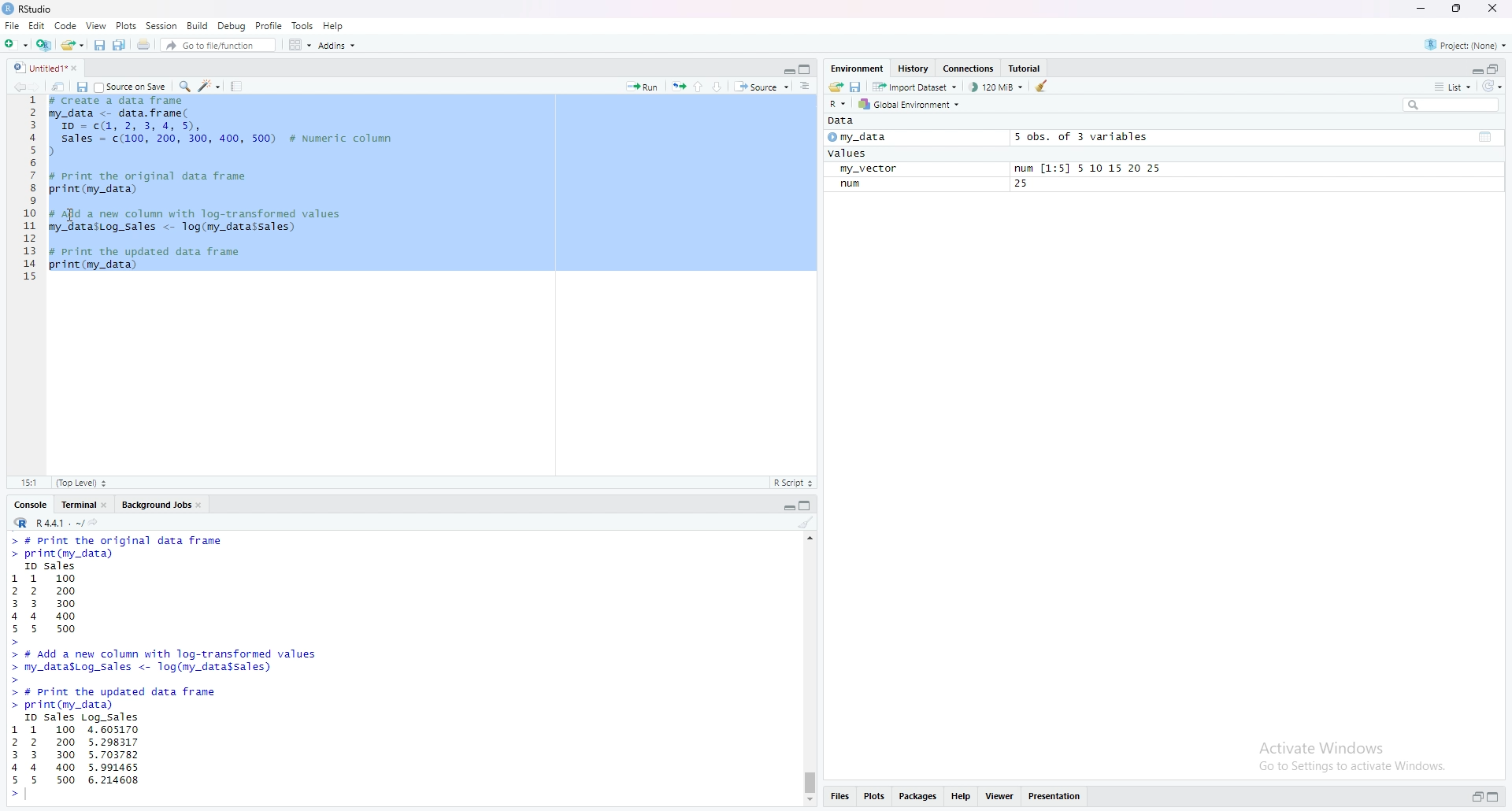 The image size is (1512, 811). Describe the element at coordinates (812, 801) in the screenshot. I see `move down` at that location.